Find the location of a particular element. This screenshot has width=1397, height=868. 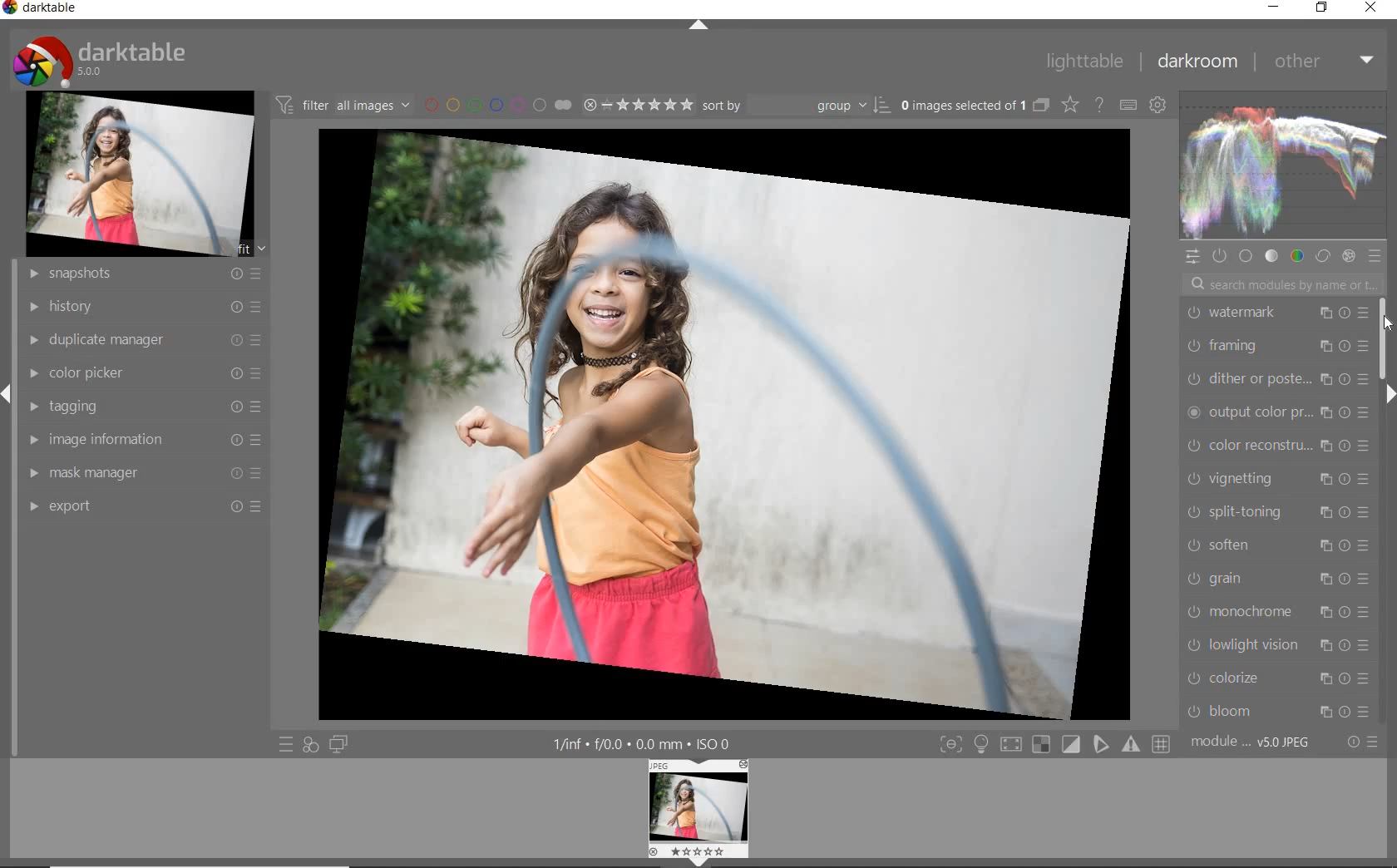

system logo & name is located at coordinates (103, 61).